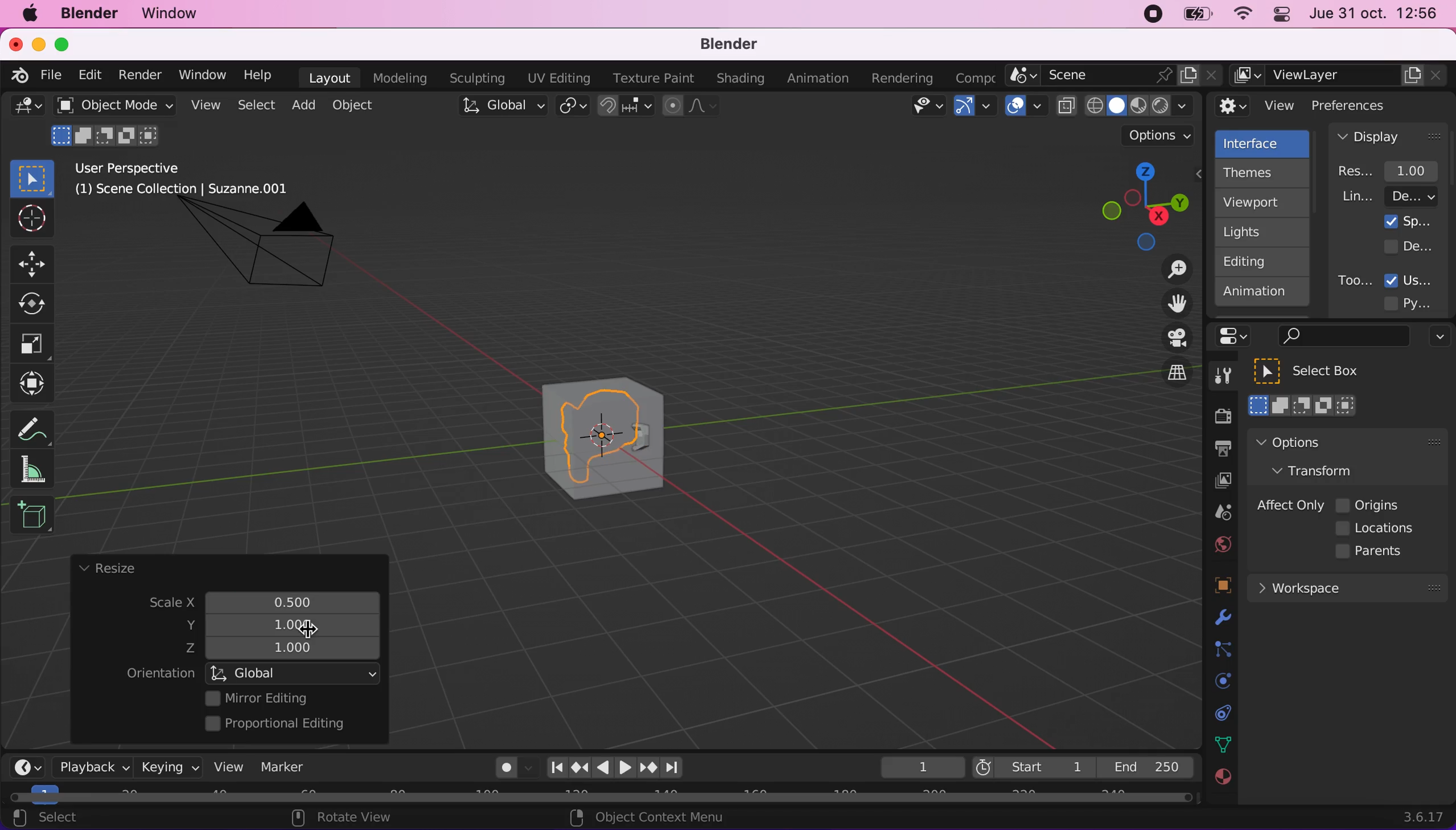 Image resolution: width=1456 pixels, height=830 pixels. What do you see at coordinates (259, 74) in the screenshot?
I see `help` at bounding box center [259, 74].